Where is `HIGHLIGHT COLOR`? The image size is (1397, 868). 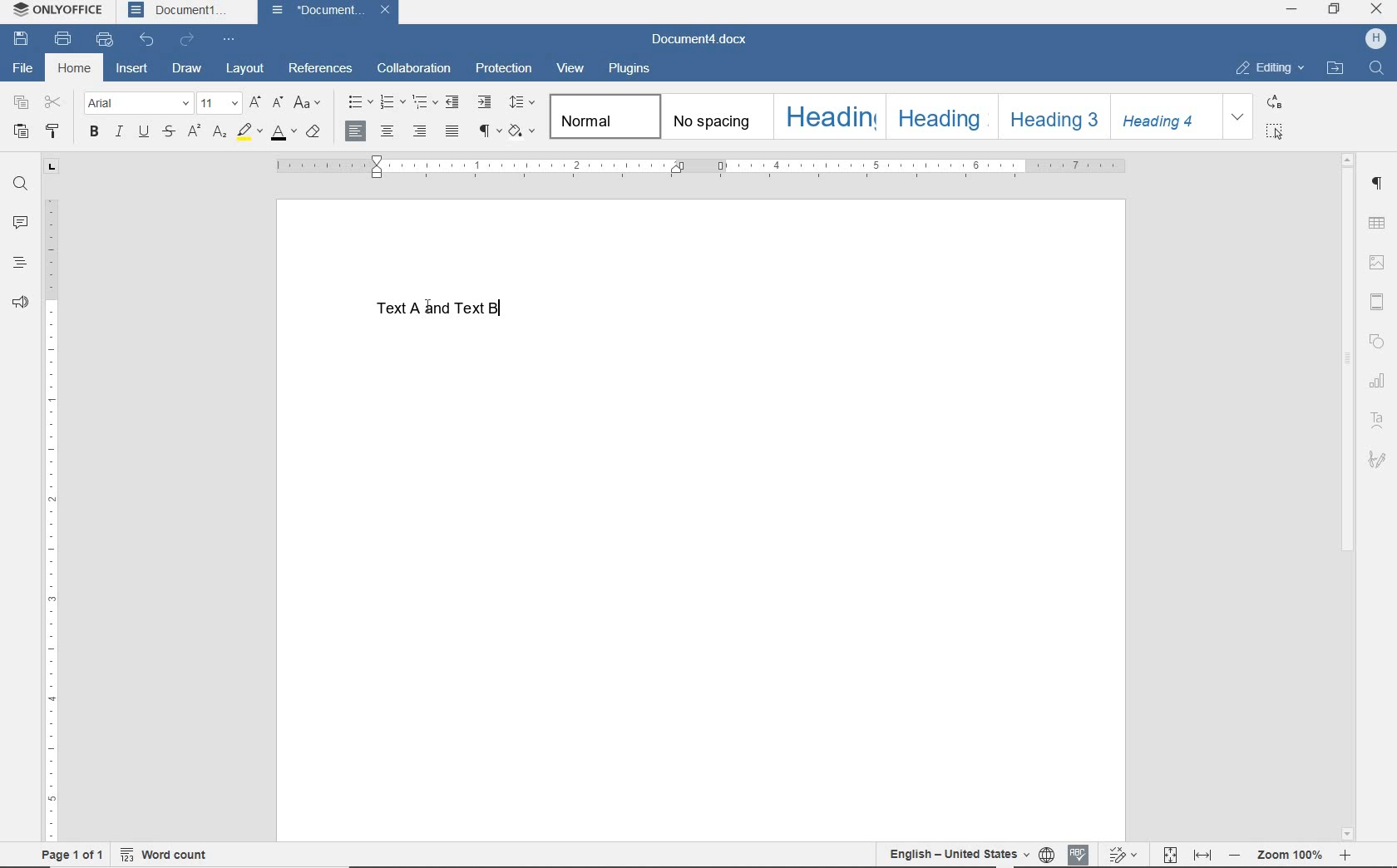 HIGHLIGHT COLOR is located at coordinates (248, 133).